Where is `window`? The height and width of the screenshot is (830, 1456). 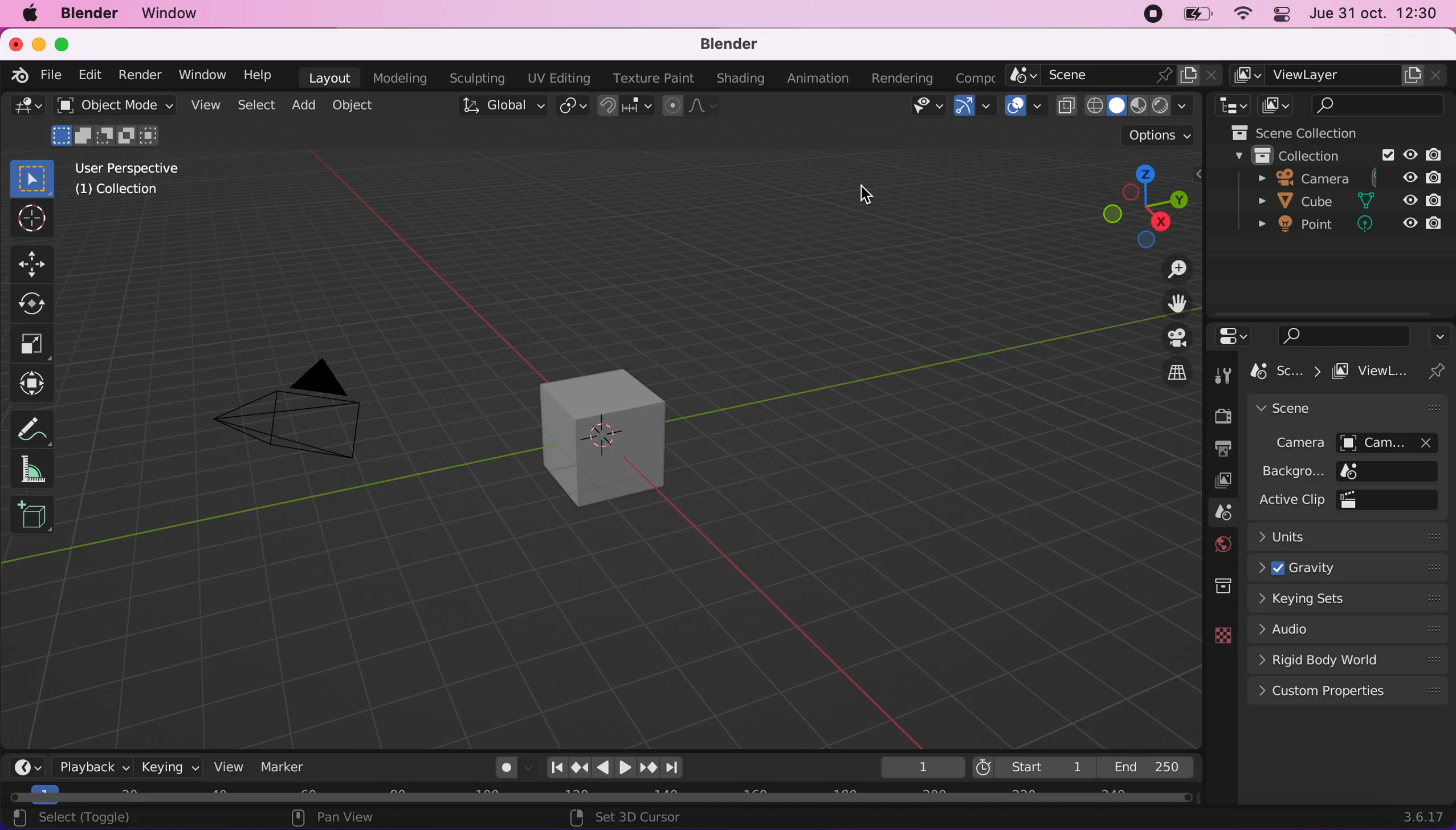 window is located at coordinates (206, 75).